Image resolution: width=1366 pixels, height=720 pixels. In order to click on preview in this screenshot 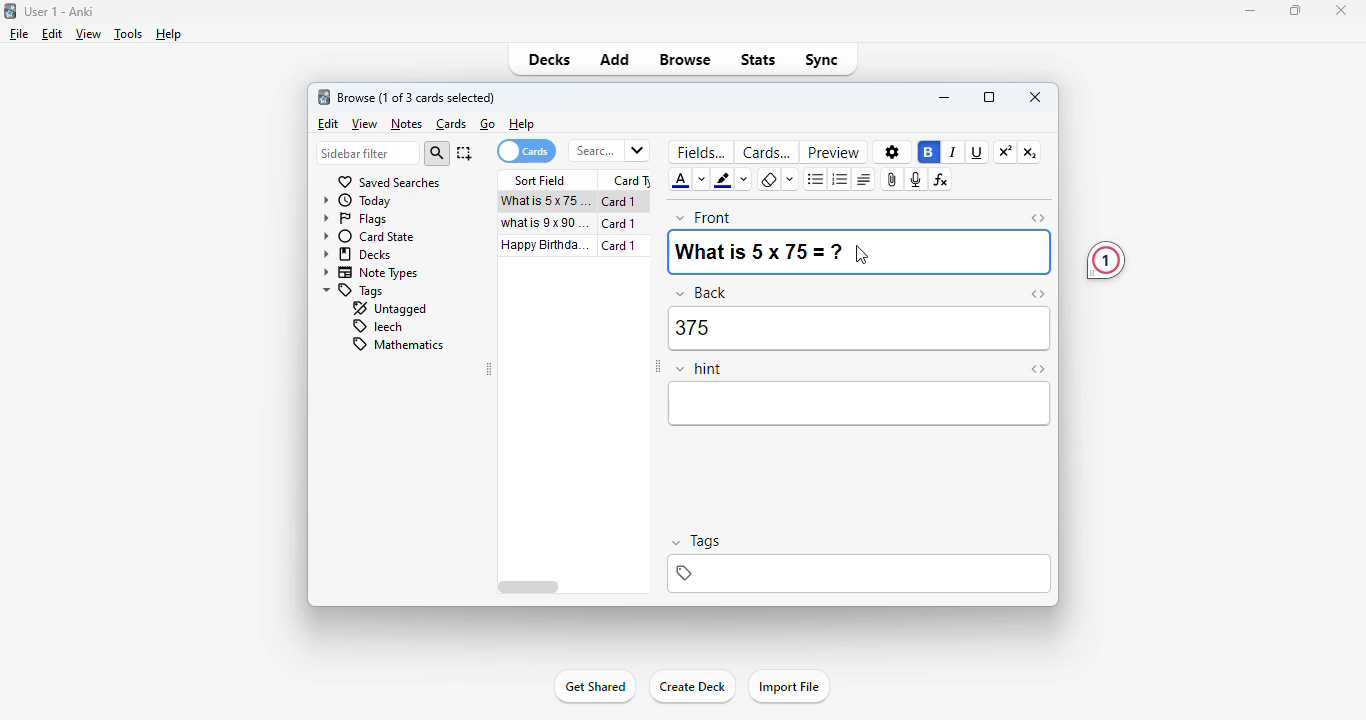, I will do `click(835, 152)`.